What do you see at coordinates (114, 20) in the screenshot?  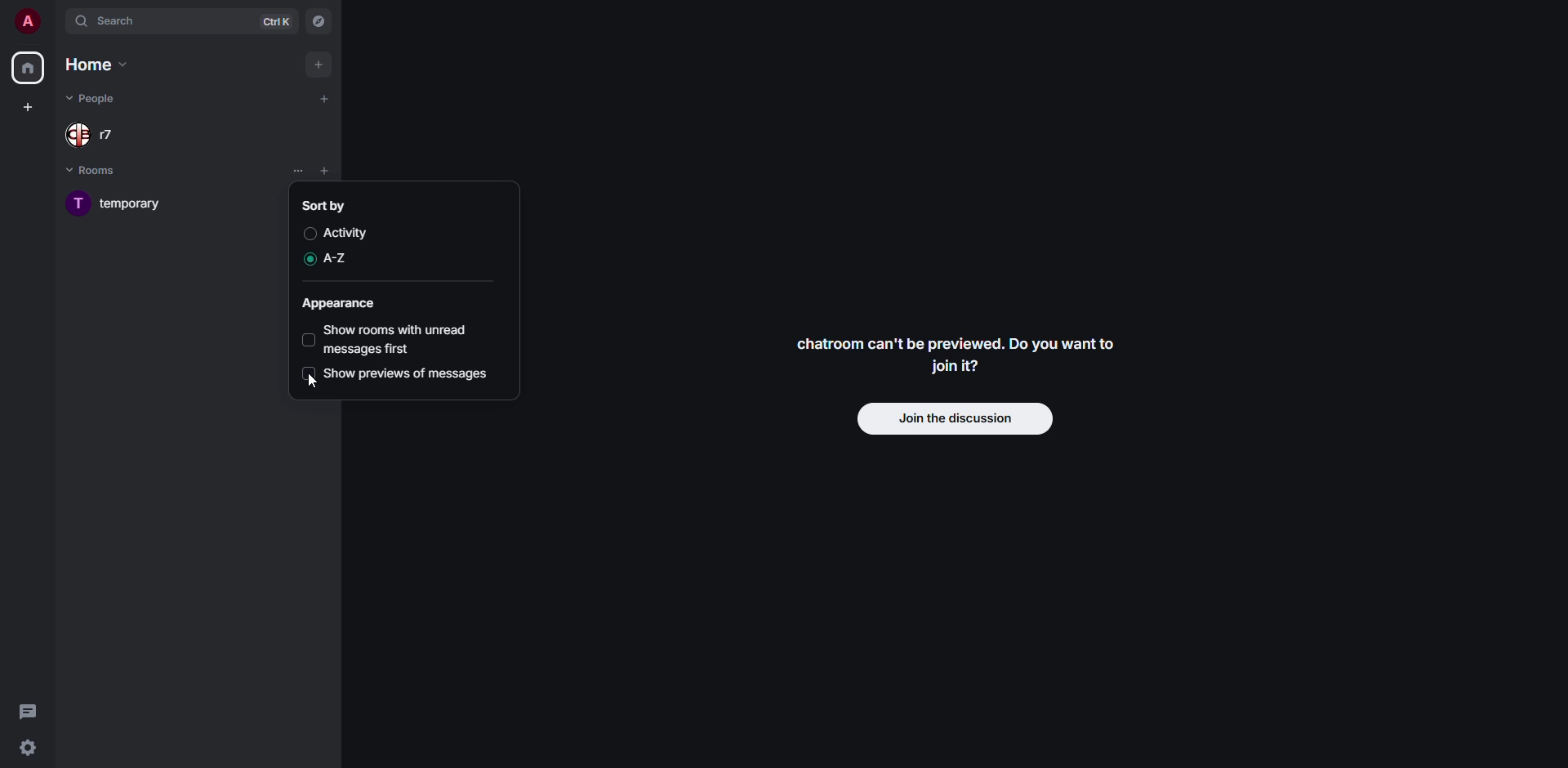 I see `search` at bounding box center [114, 20].